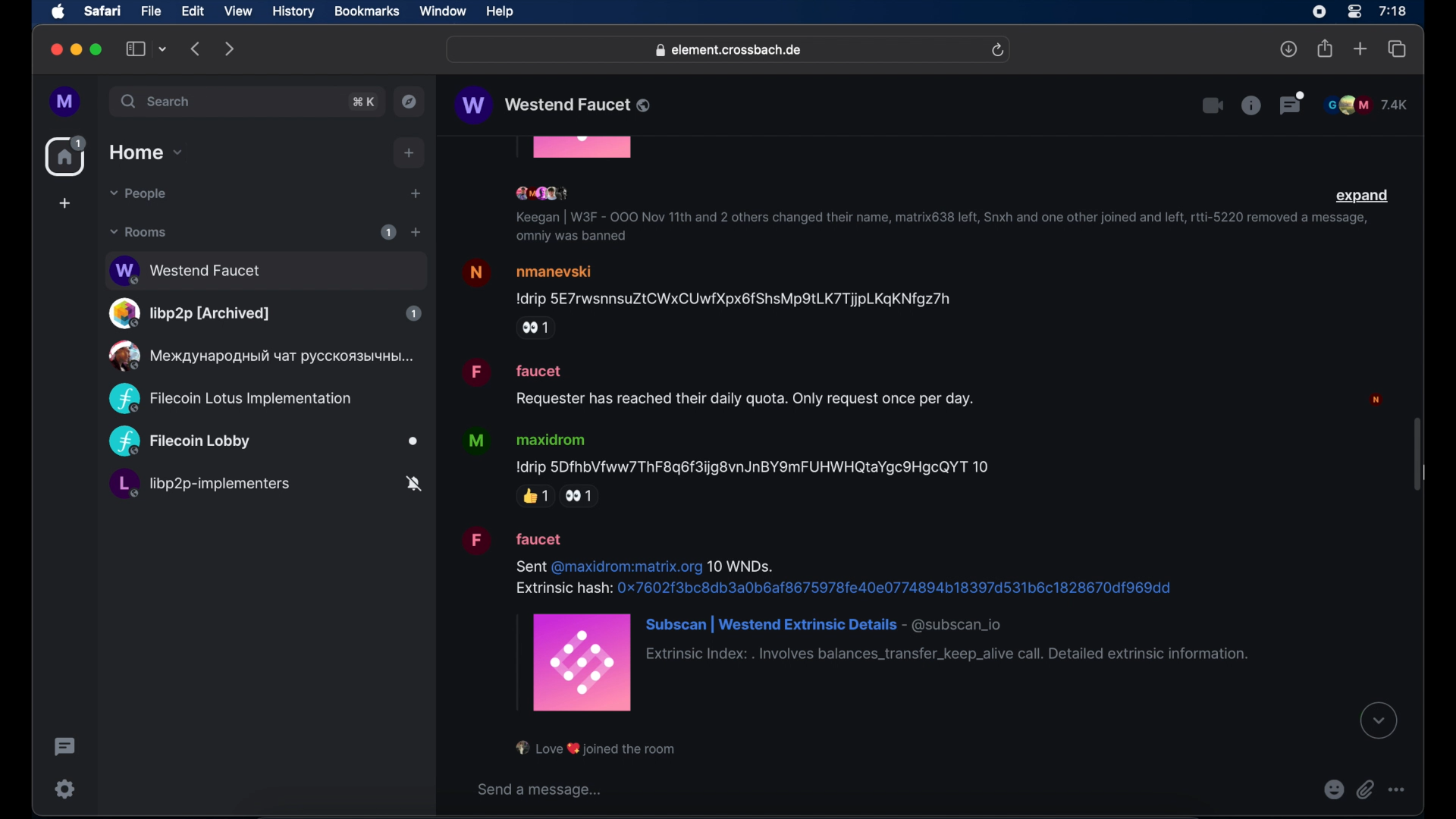 The image size is (1456, 819). I want to click on threads, so click(1293, 103).